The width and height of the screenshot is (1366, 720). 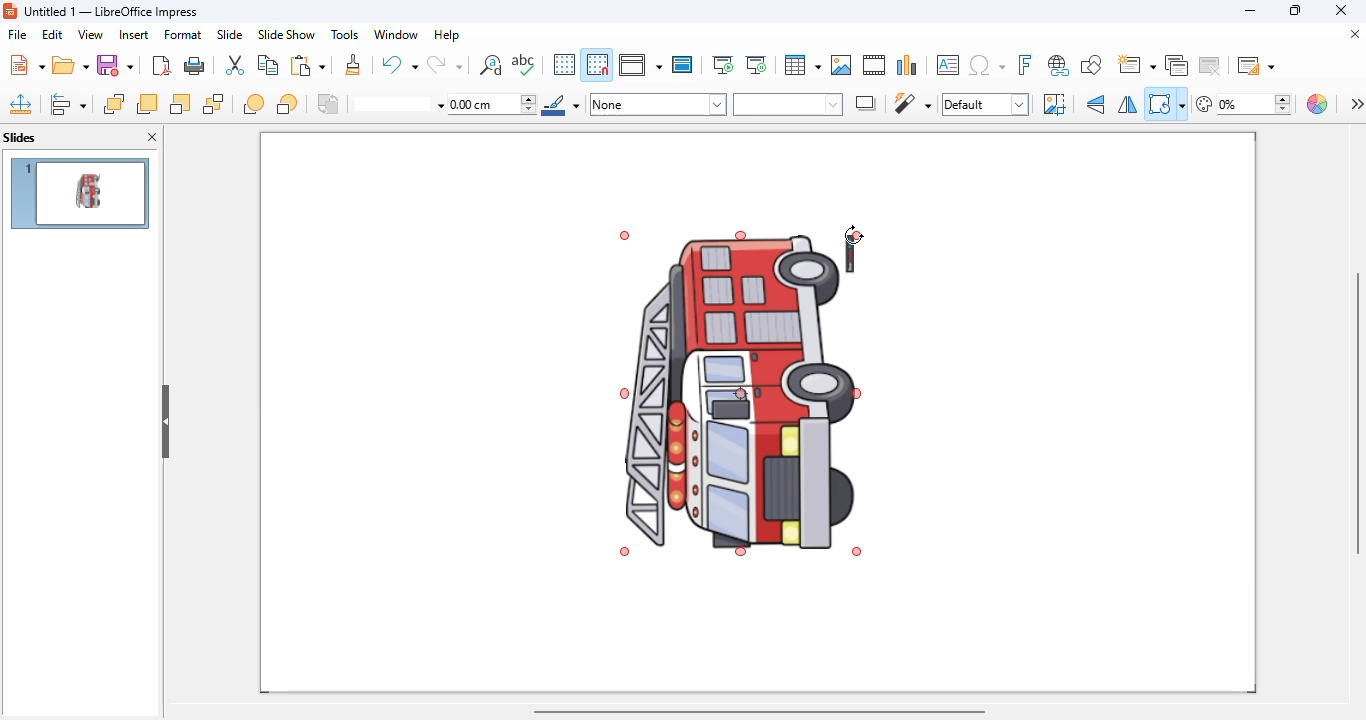 I want to click on slides, so click(x=20, y=137).